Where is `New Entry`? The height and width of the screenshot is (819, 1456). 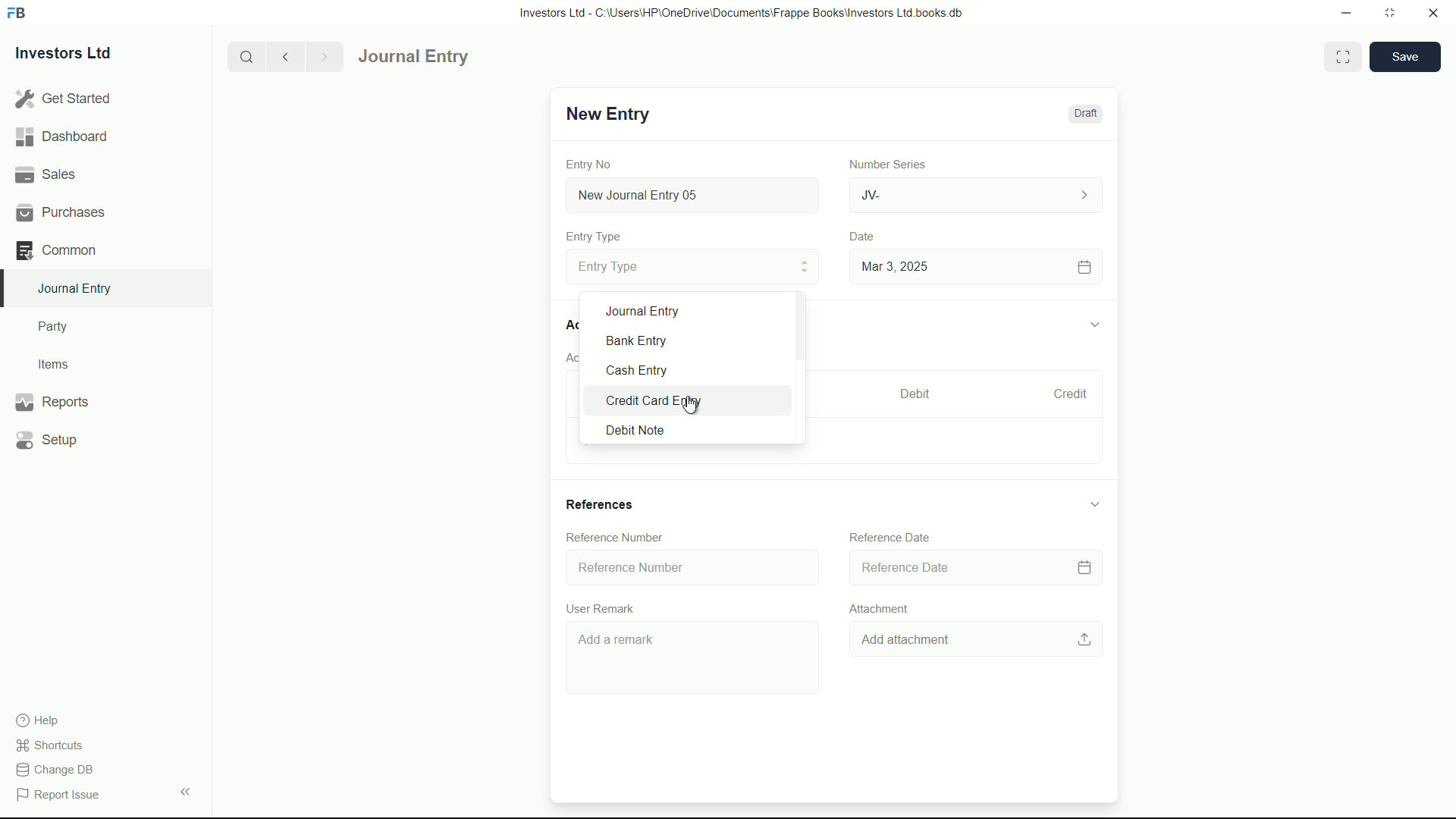
New Entry is located at coordinates (605, 114).